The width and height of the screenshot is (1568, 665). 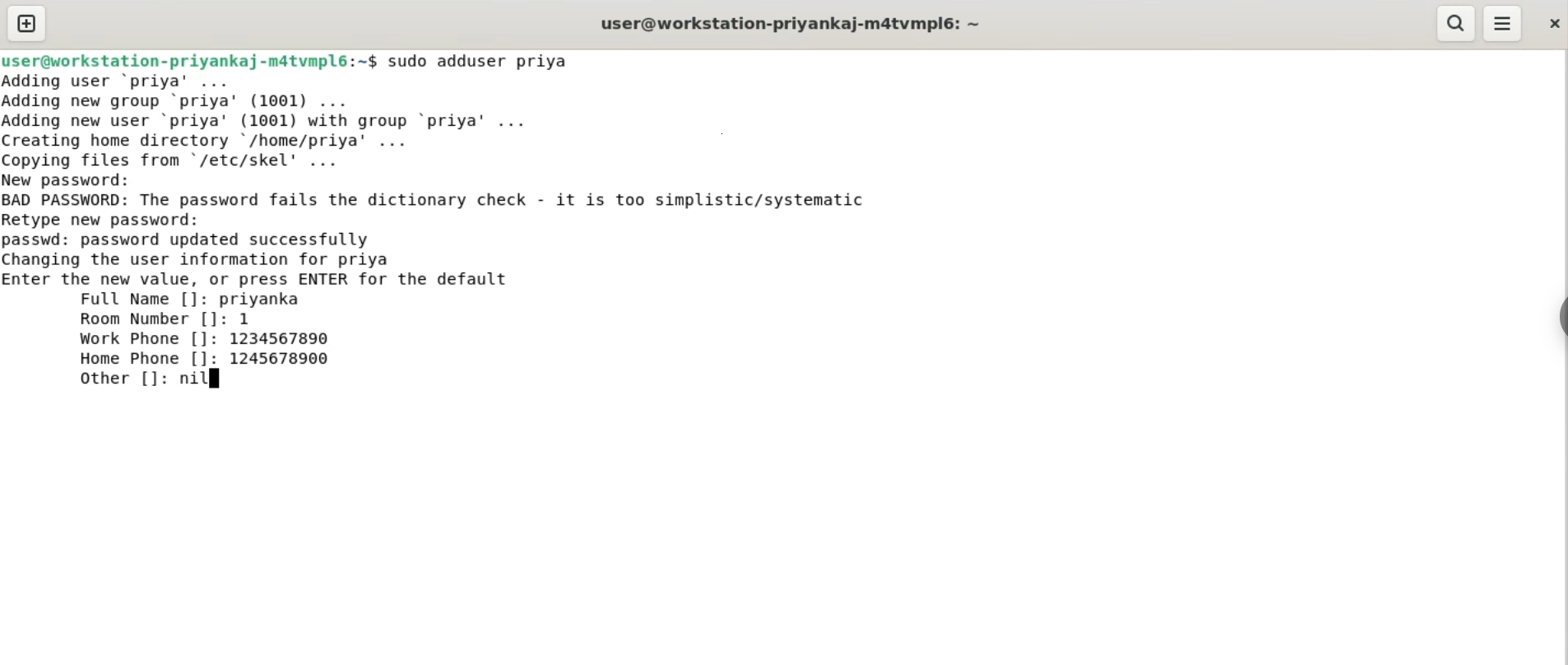 I want to click on new tab, so click(x=27, y=23).